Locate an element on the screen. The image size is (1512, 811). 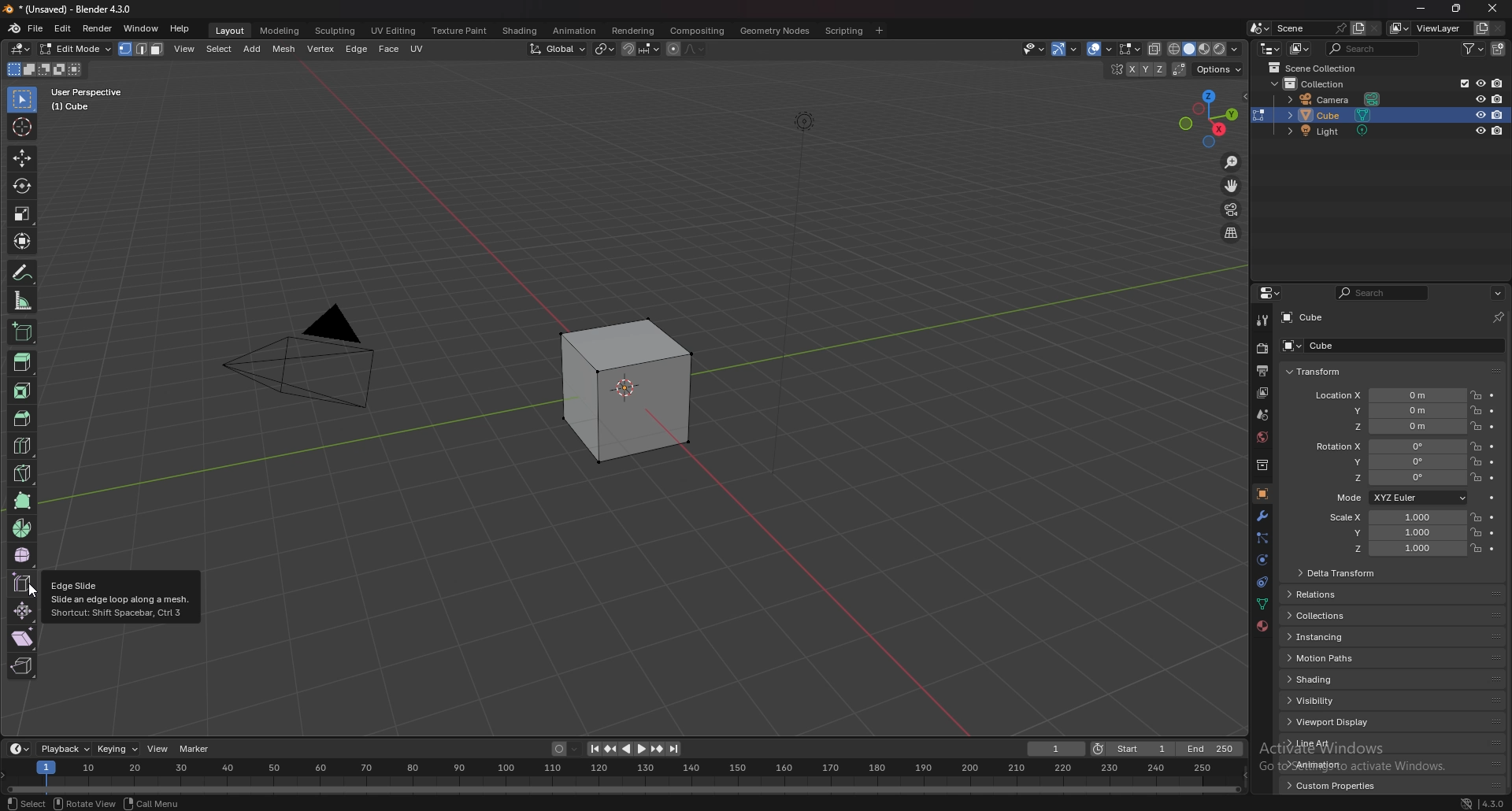
tooltip is located at coordinates (123, 598).